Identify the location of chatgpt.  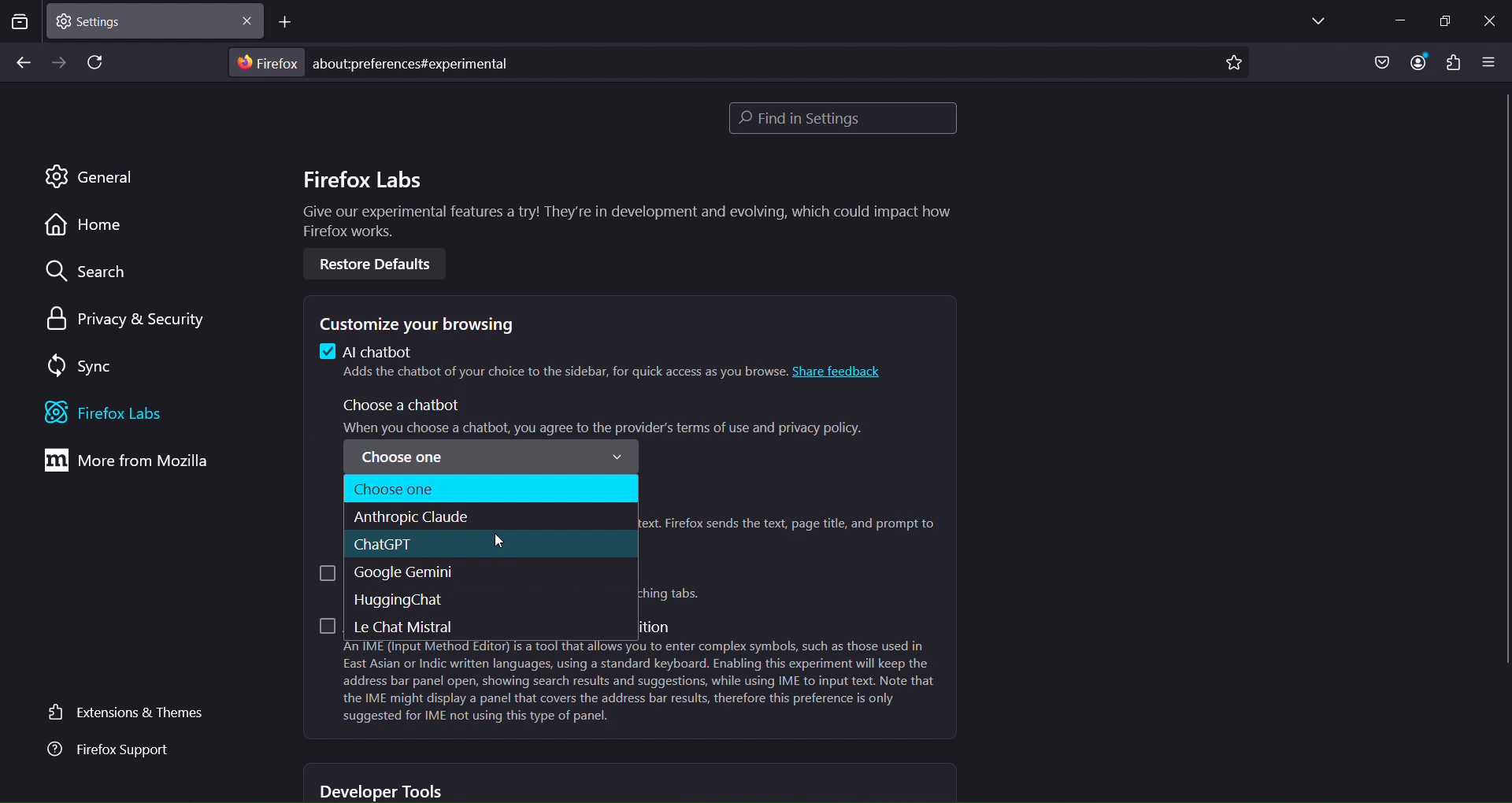
(396, 543).